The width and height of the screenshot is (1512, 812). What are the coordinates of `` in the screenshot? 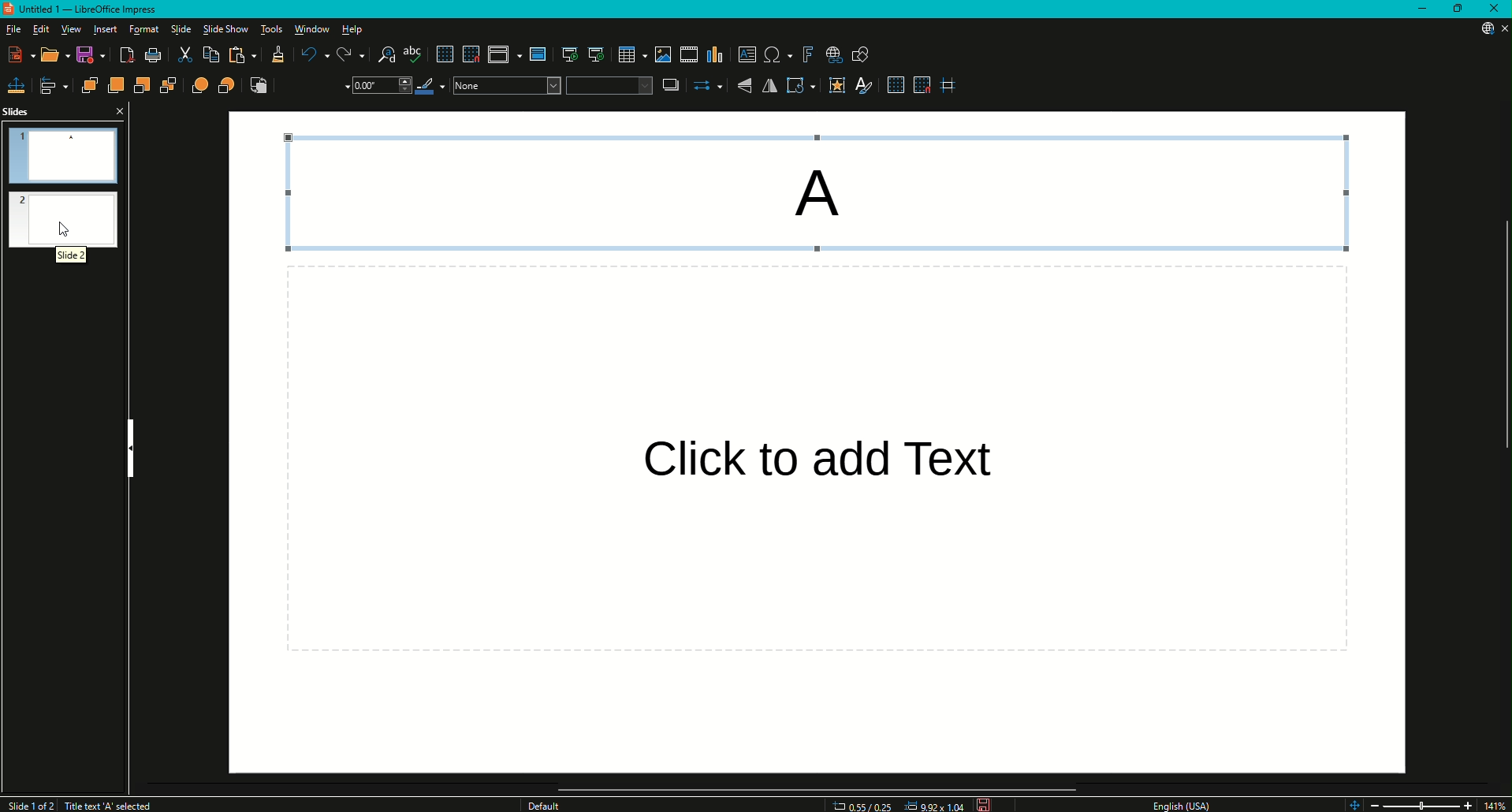 It's located at (797, 453).